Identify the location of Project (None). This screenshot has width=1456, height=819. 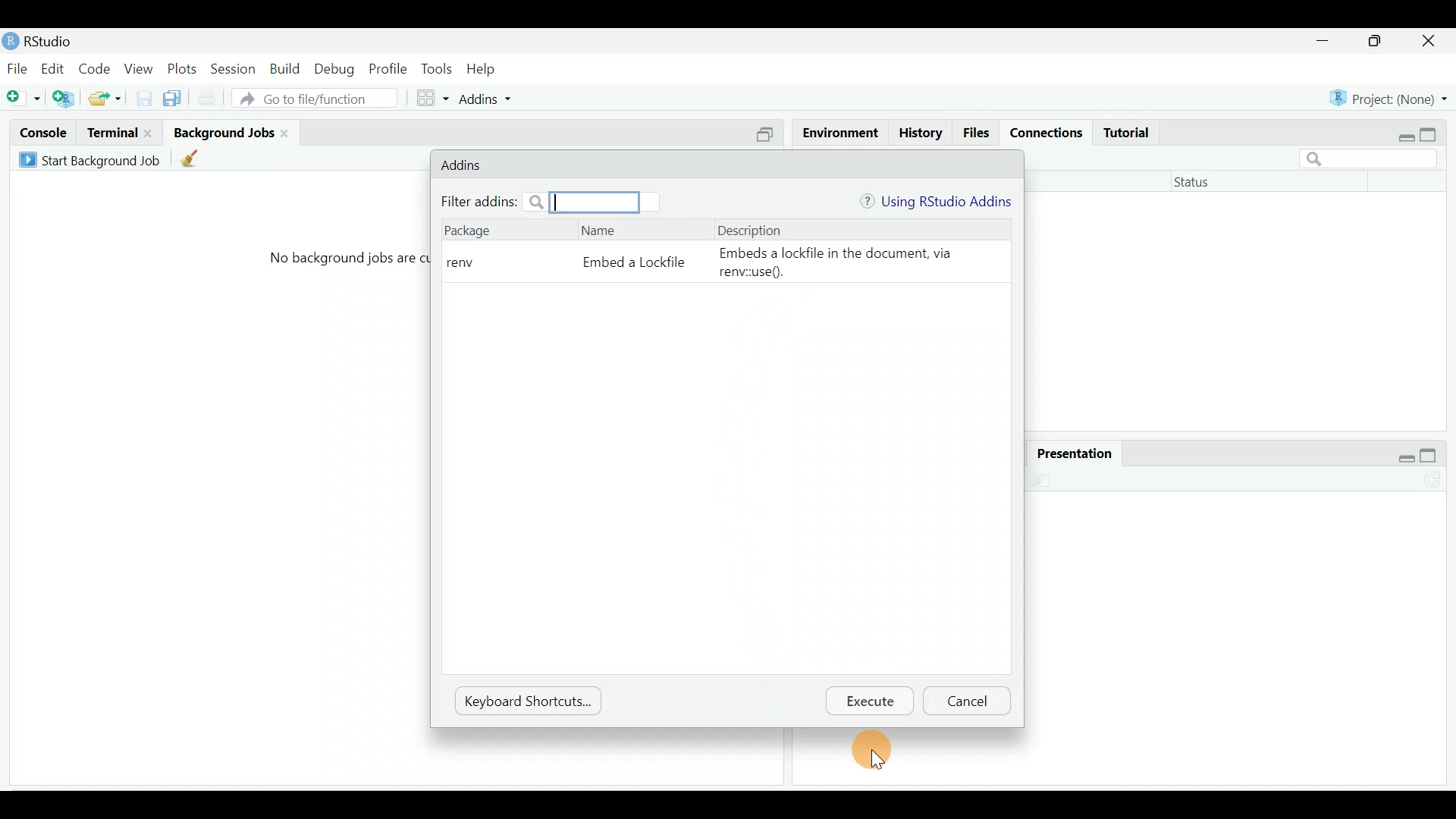
(1388, 99).